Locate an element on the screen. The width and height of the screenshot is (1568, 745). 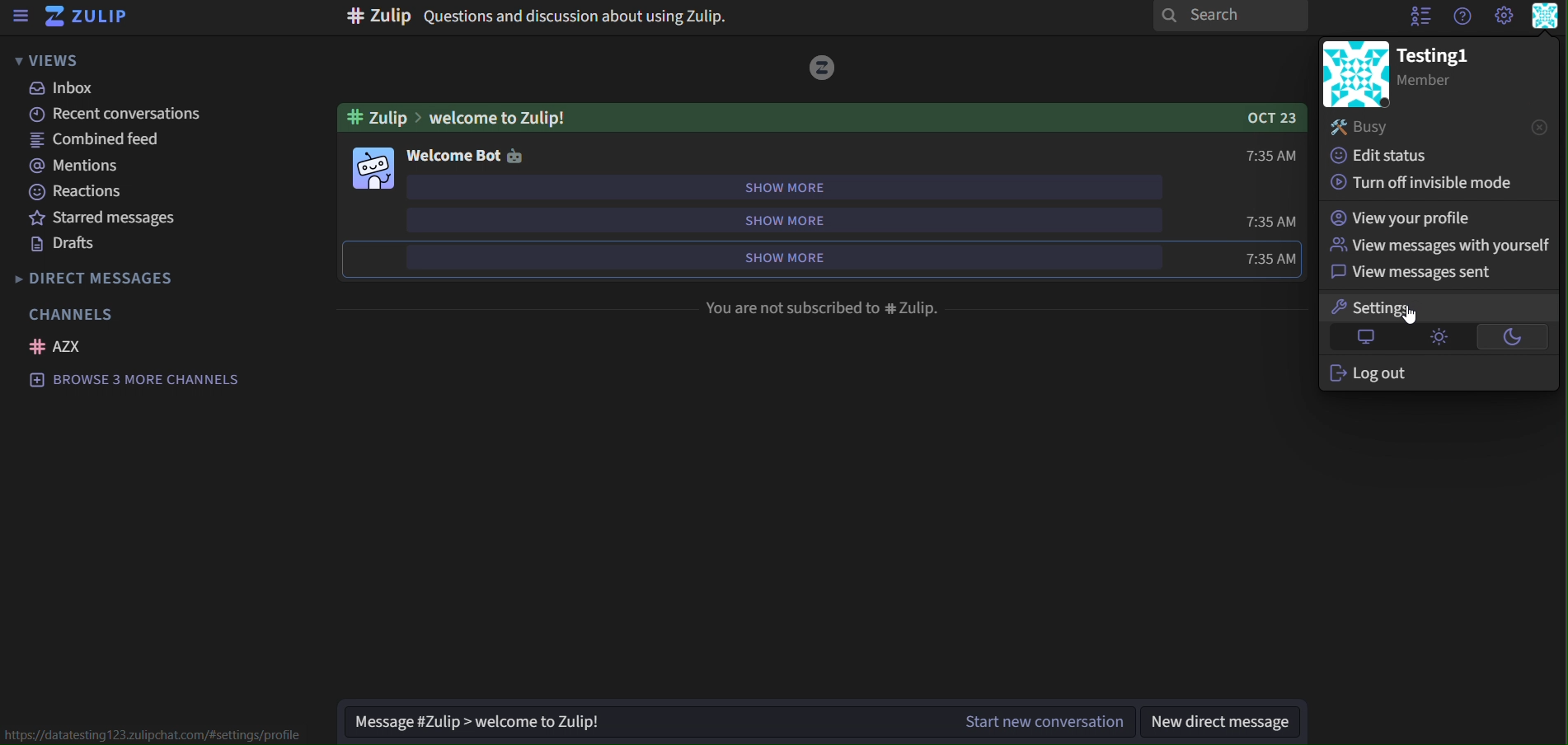
7:35AM is located at coordinates (1263, 223).